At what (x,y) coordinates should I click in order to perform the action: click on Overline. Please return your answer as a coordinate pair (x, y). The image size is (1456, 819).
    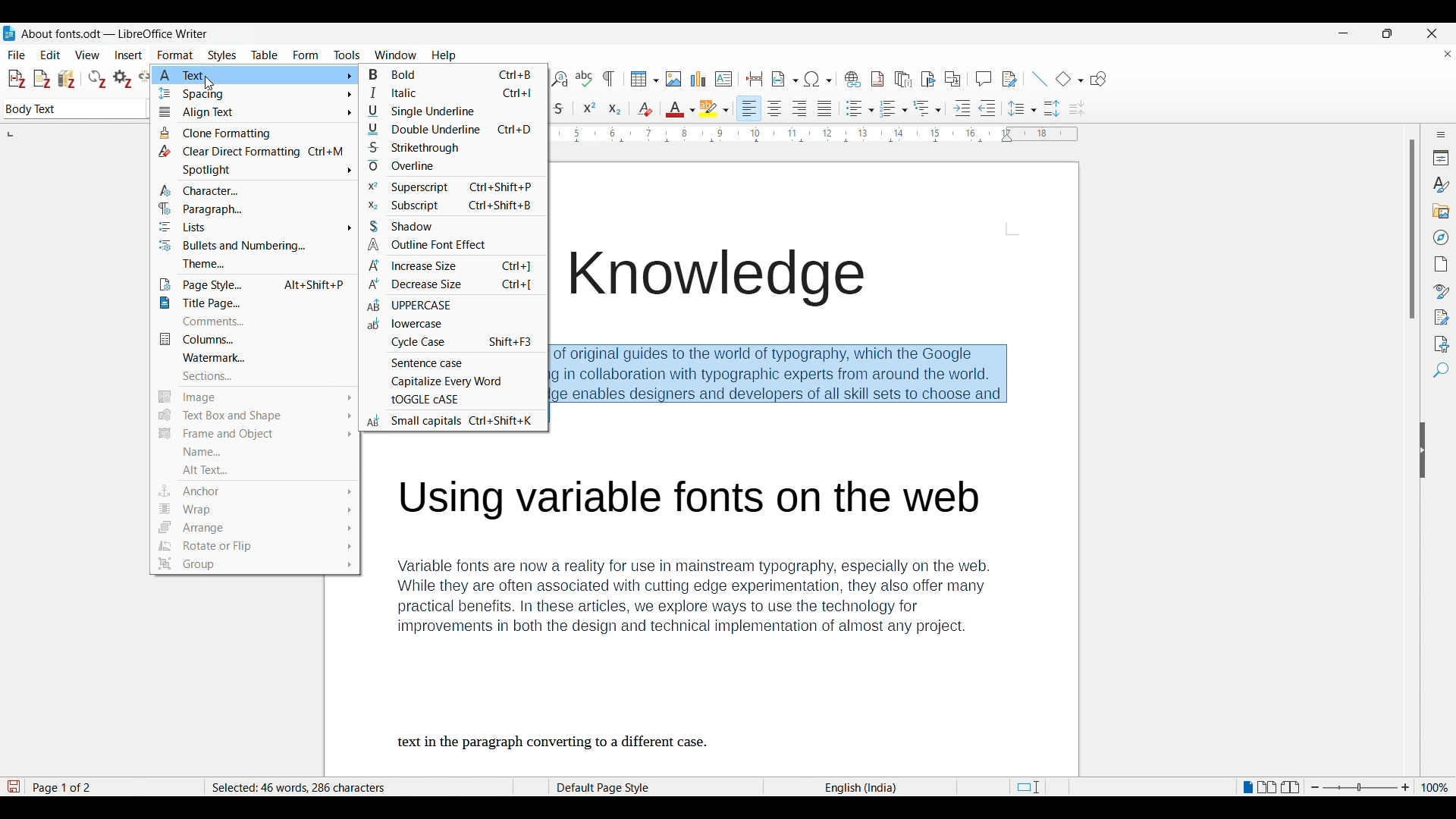
    Looking at the image, I should click on (425, 166).